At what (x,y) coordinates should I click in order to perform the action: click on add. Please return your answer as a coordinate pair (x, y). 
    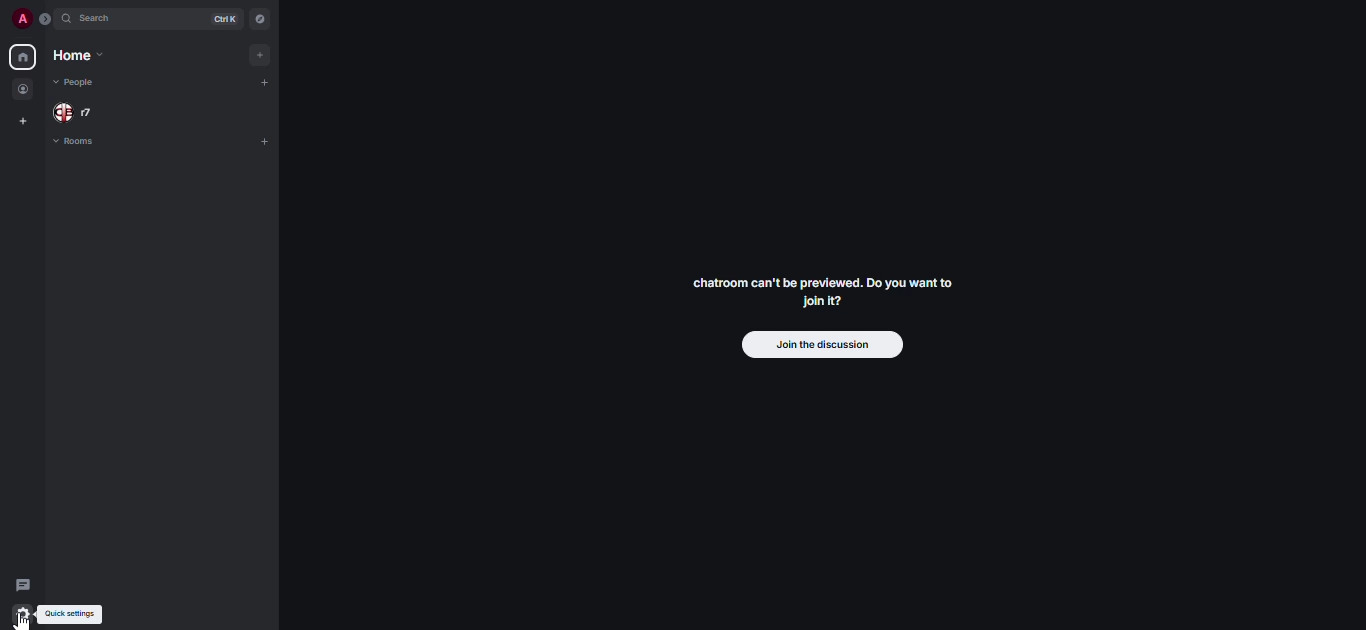
    Looking at the image, I should click on (266, 54).